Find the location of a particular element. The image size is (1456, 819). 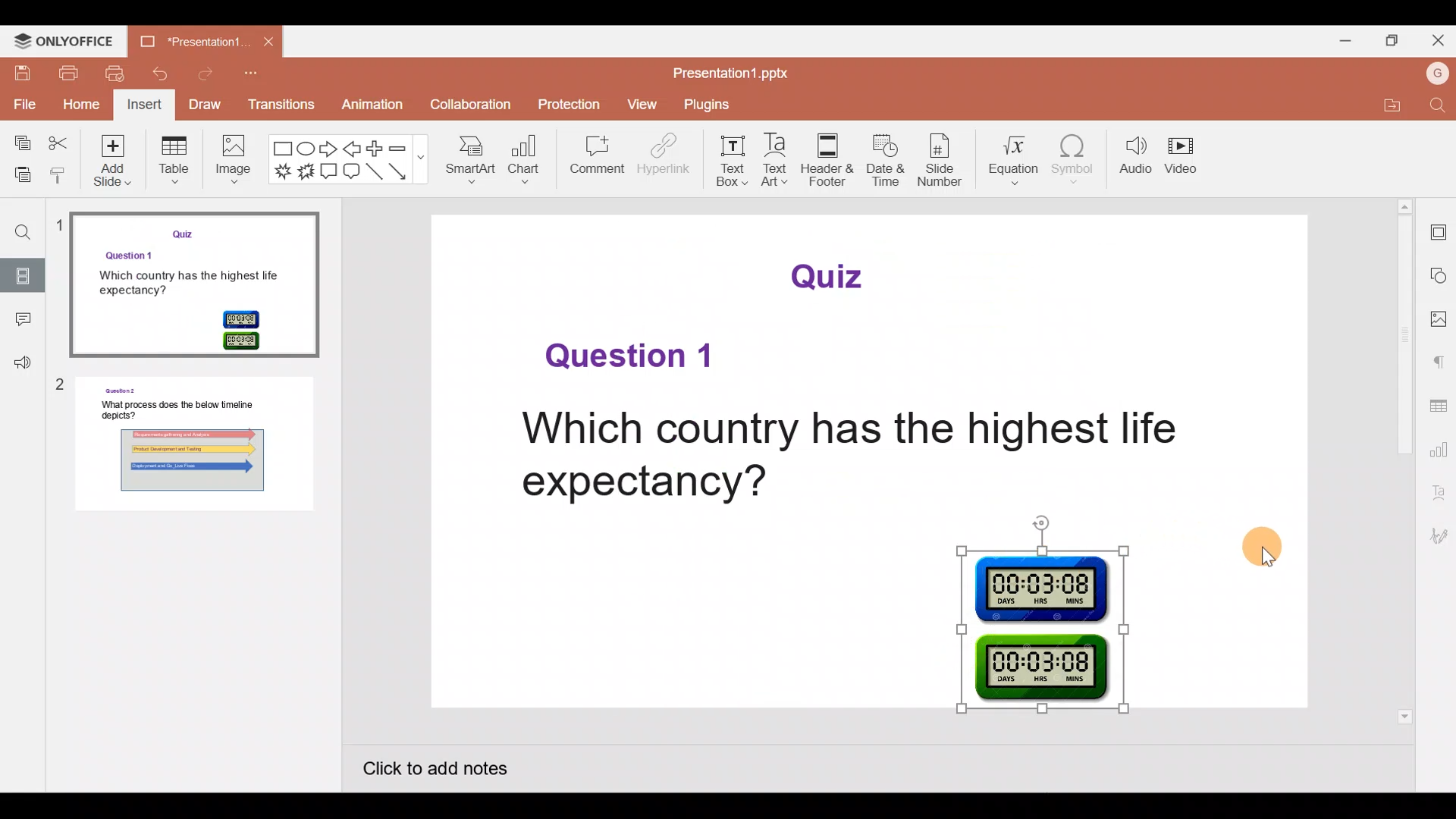

Arrow is located at coordinates (402, 174).